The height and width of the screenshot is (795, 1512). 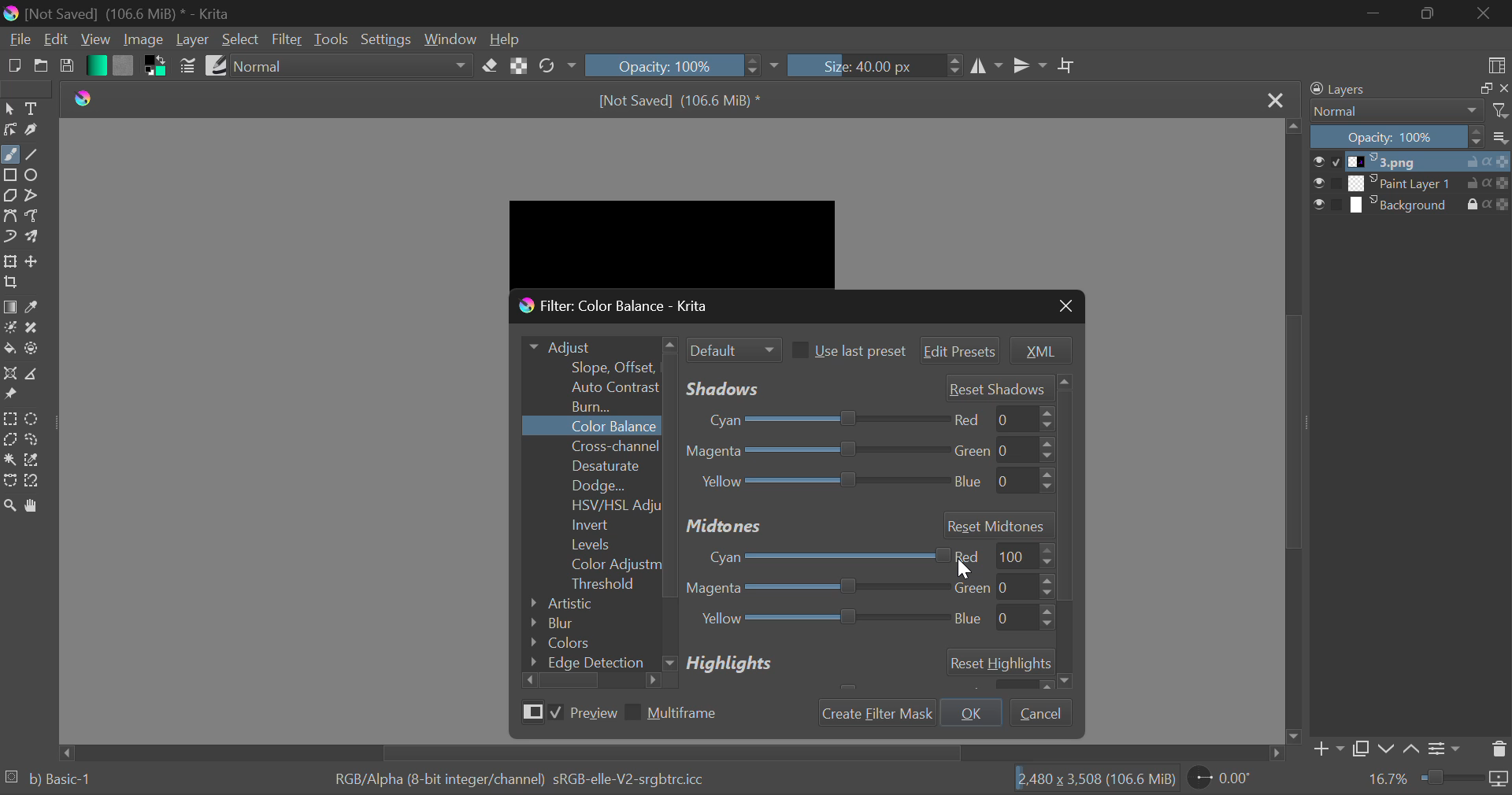 What do you see at coordinates (819, 621) in the screenshot?
I see `Yellow Blue Adjustment Slider` at bounding box center [819, 621].